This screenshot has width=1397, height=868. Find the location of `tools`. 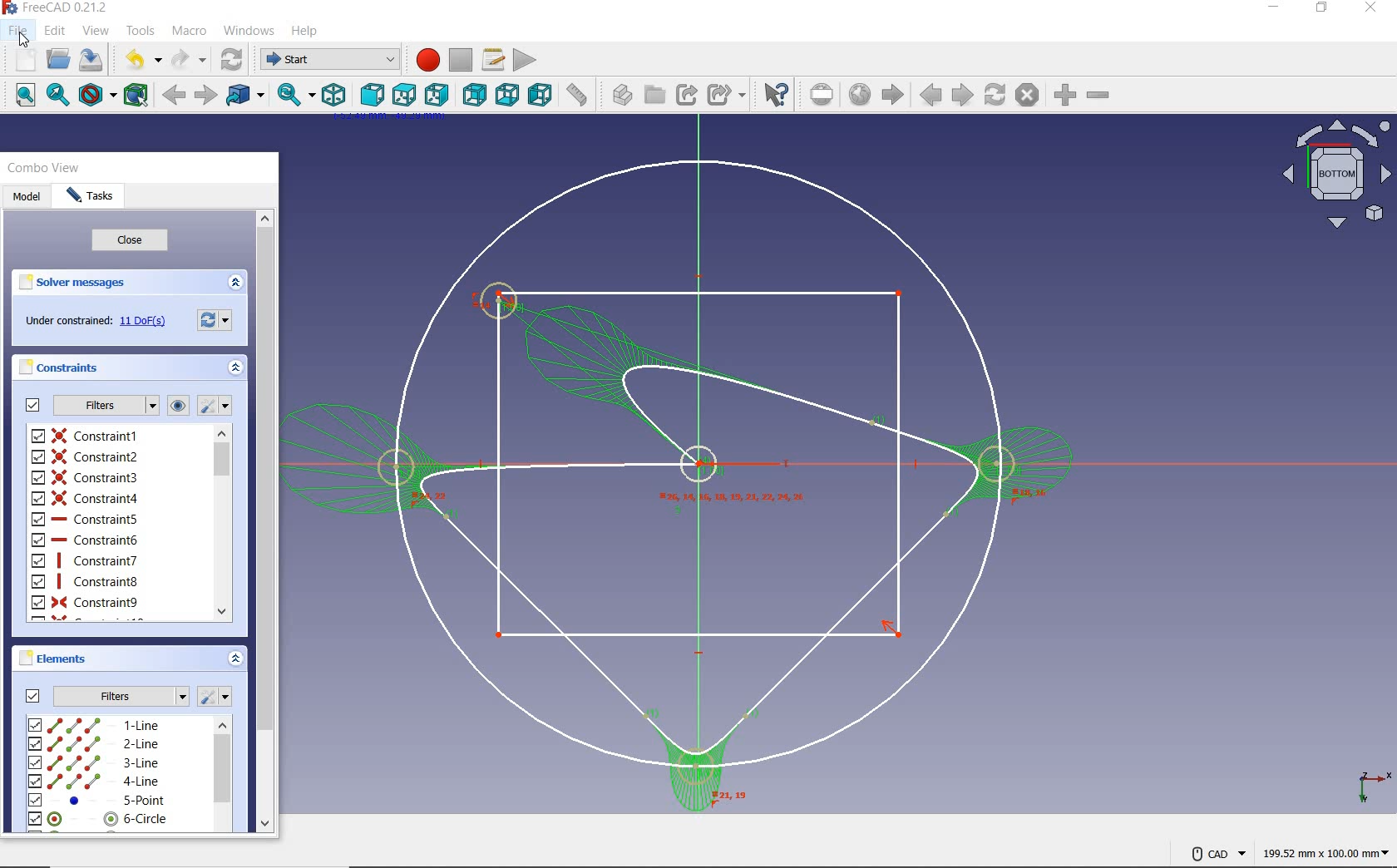

tools is located at coordinates (141, 29).